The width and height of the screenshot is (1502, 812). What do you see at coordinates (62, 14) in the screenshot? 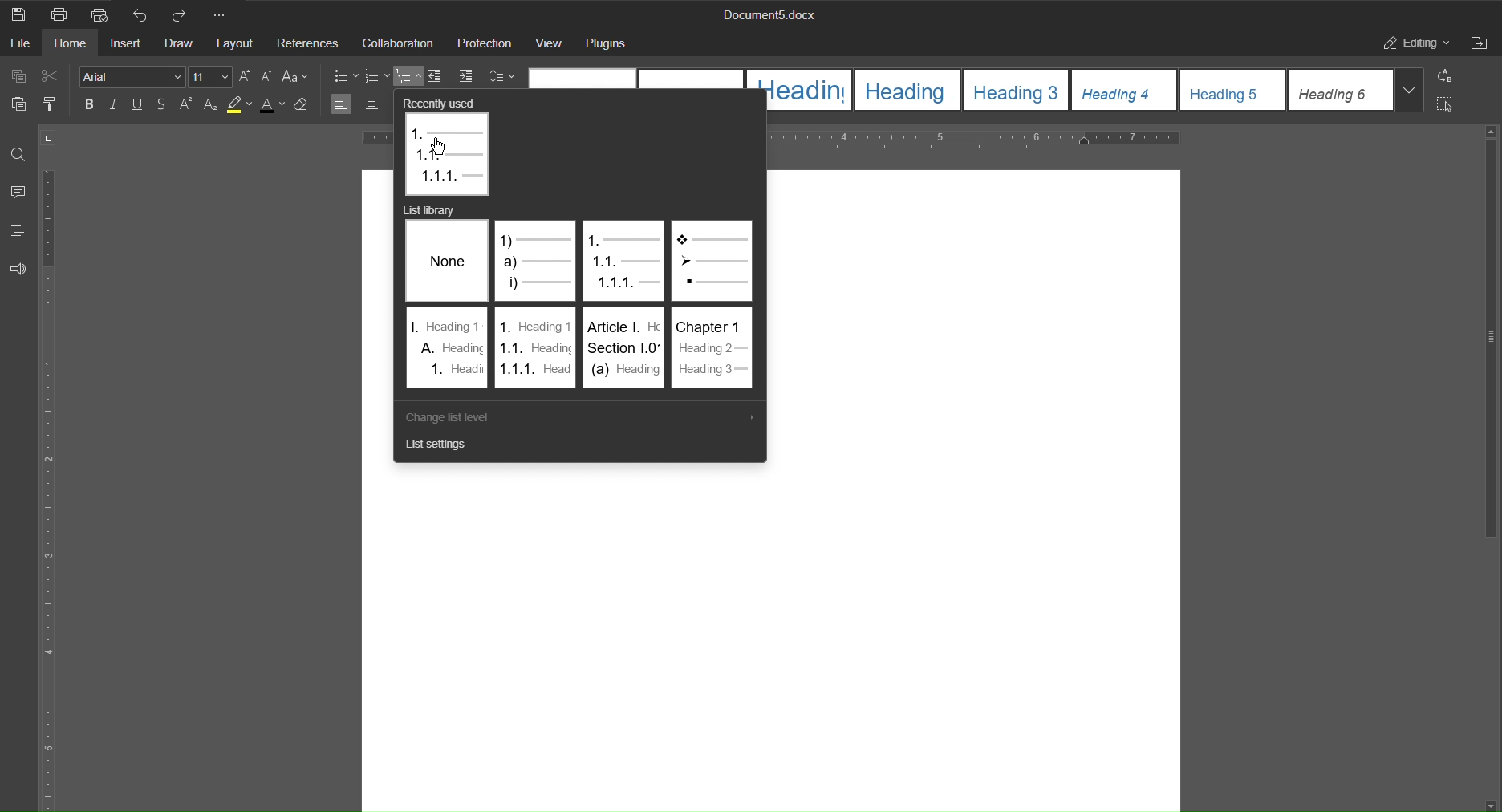
I see `Print` at bounding box center [62, 14].